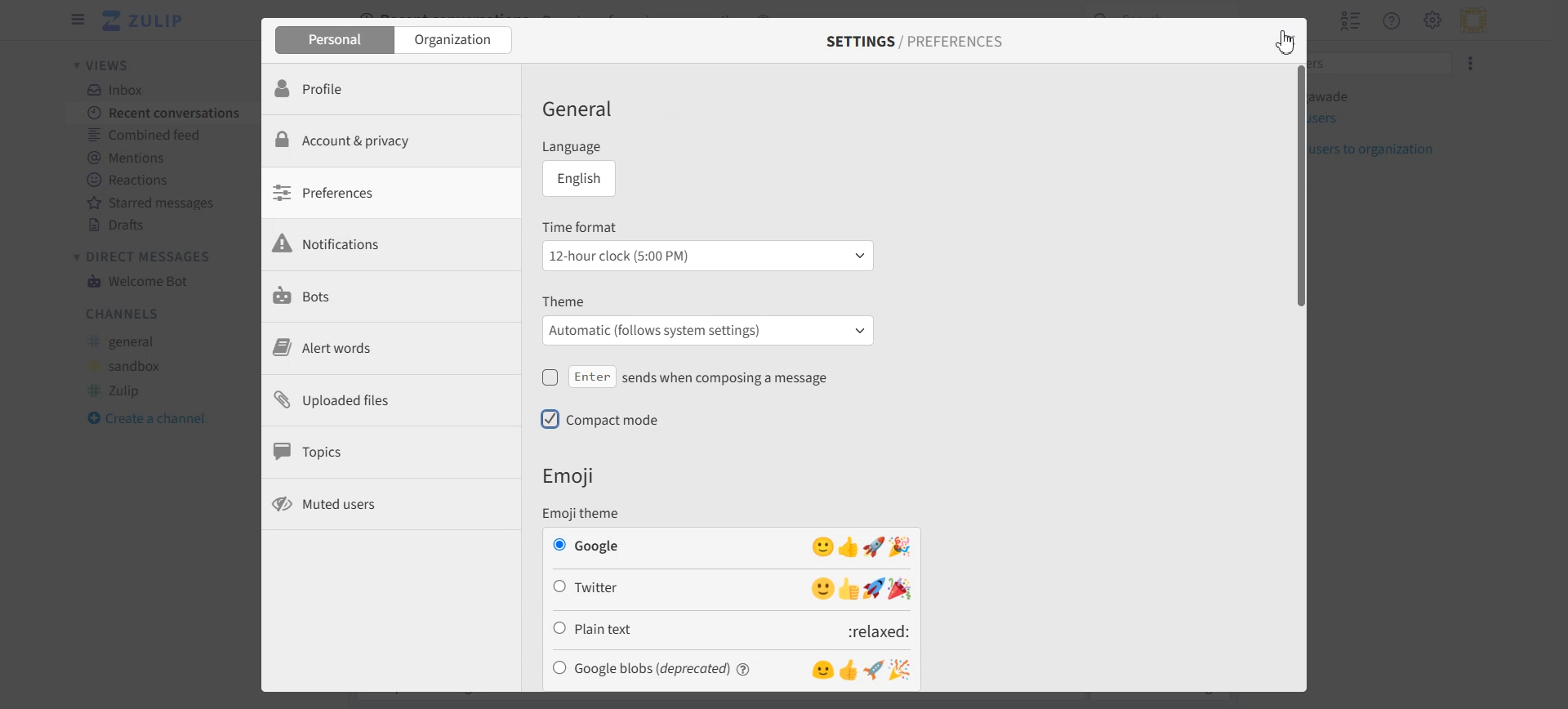  Describe the element at coordinates (596, 111) in the screenshot. I see `General` at that location.